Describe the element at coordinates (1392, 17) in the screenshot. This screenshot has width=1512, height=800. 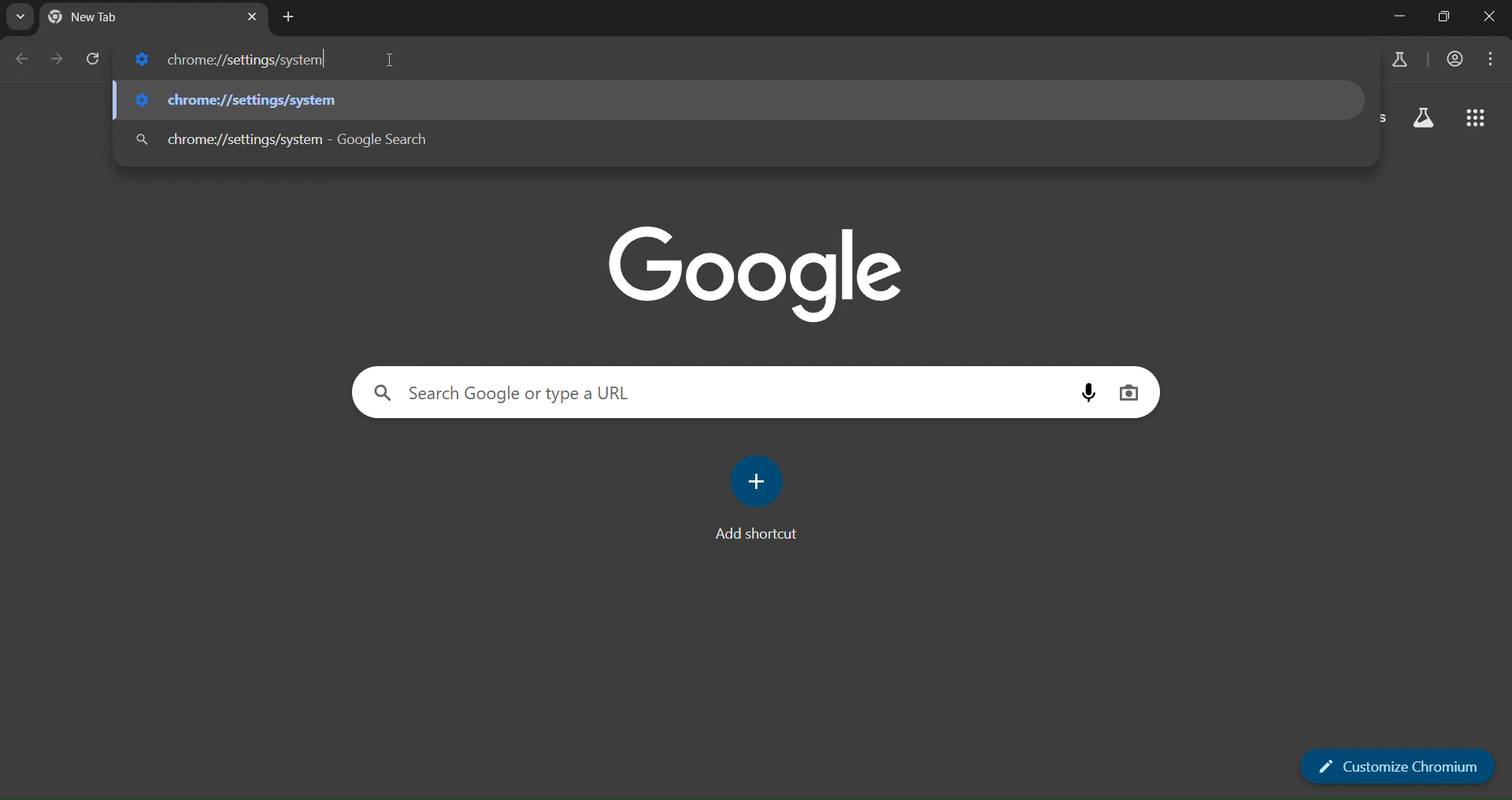
I see `minimize` at that location.